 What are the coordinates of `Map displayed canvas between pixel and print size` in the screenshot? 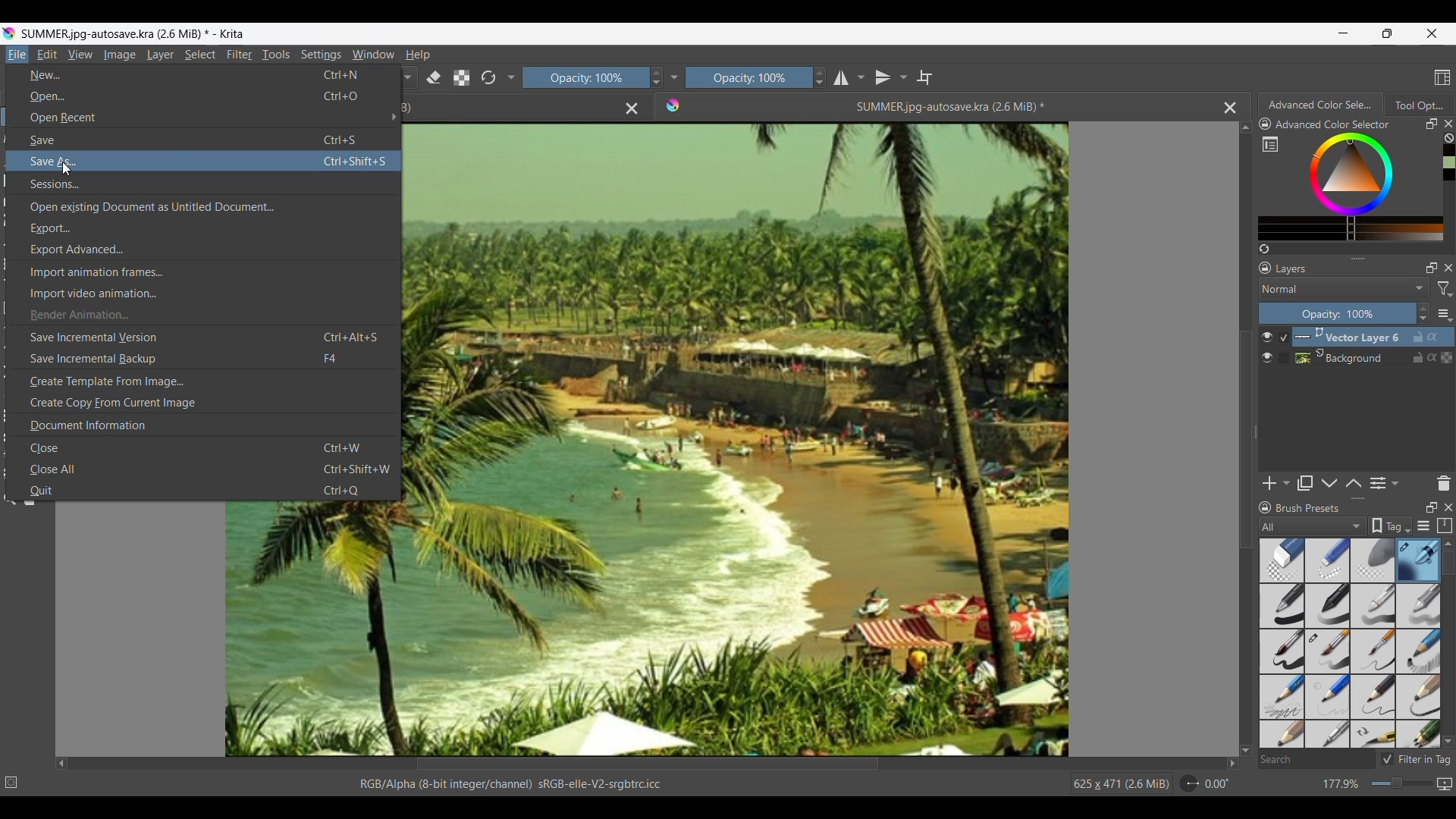 It's located at (1444, 784).